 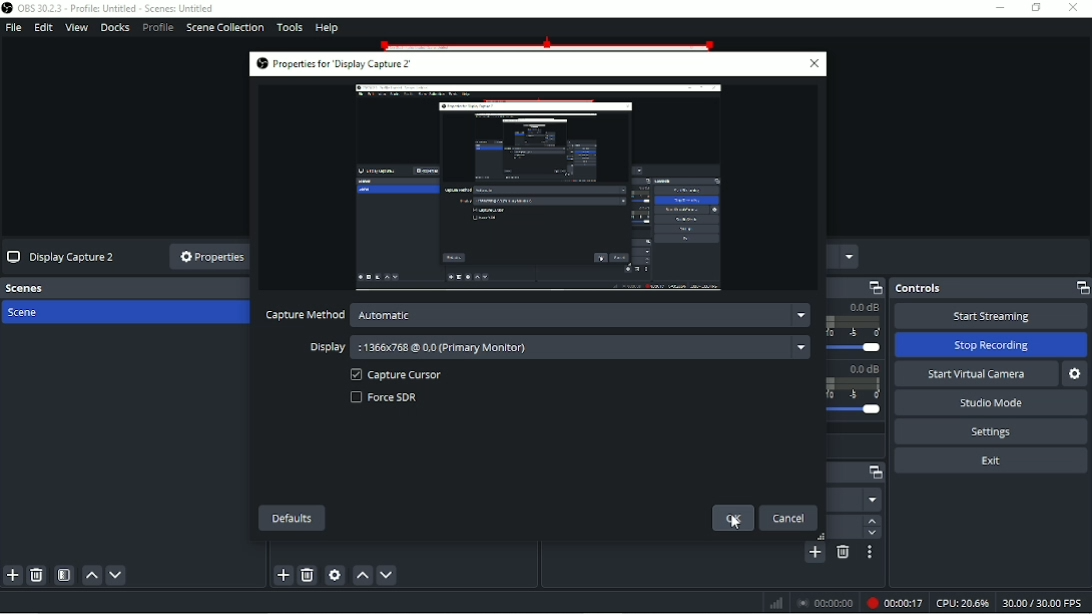 What do you see at coordinates (283, 576) in the screenshot?
I see `Add source` at bounding box center [283, 576].